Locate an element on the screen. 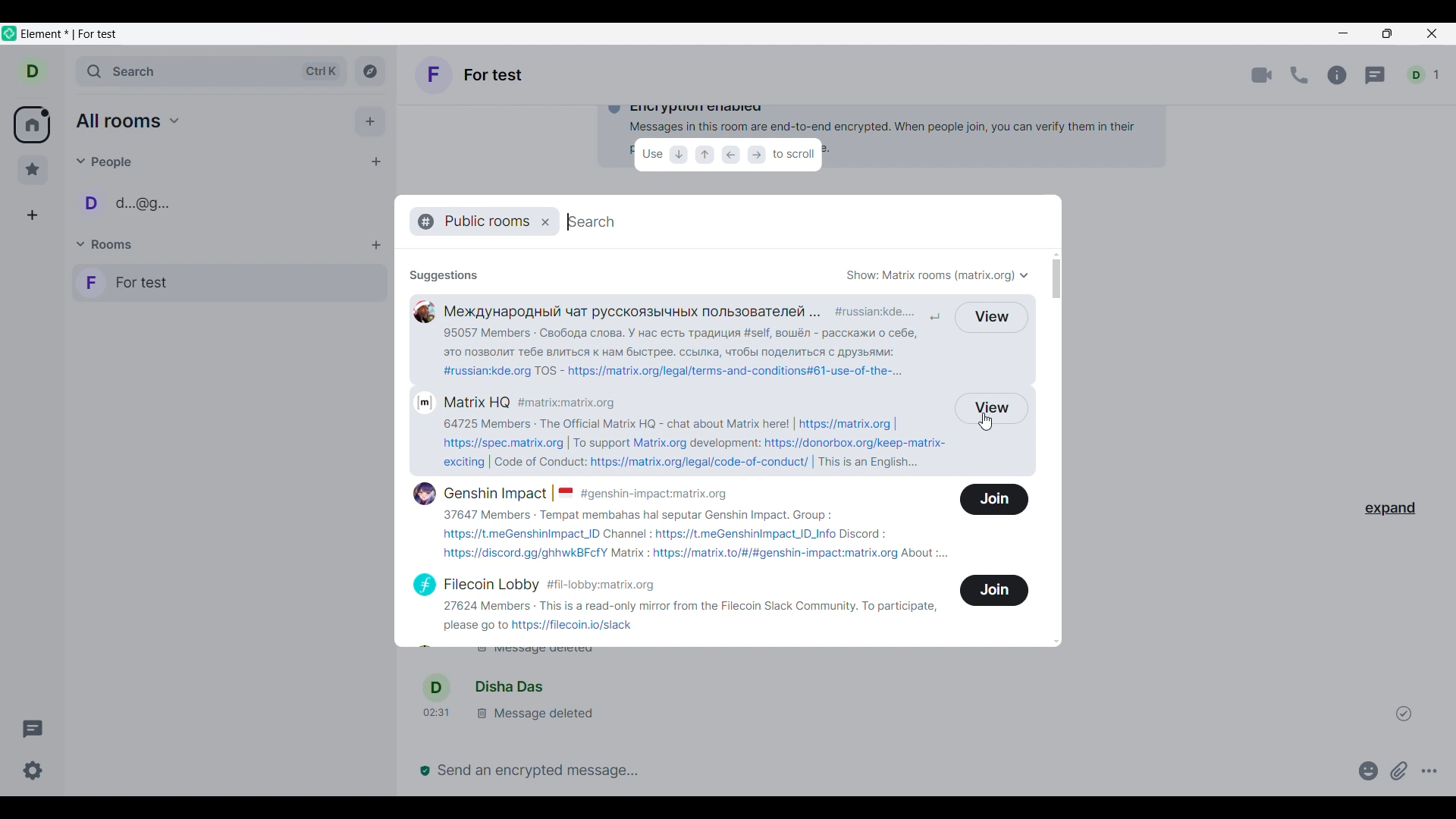 Image resolution: width=1456 pixels, height=819 pixels. All rooms is located at coordinates (128, 121).